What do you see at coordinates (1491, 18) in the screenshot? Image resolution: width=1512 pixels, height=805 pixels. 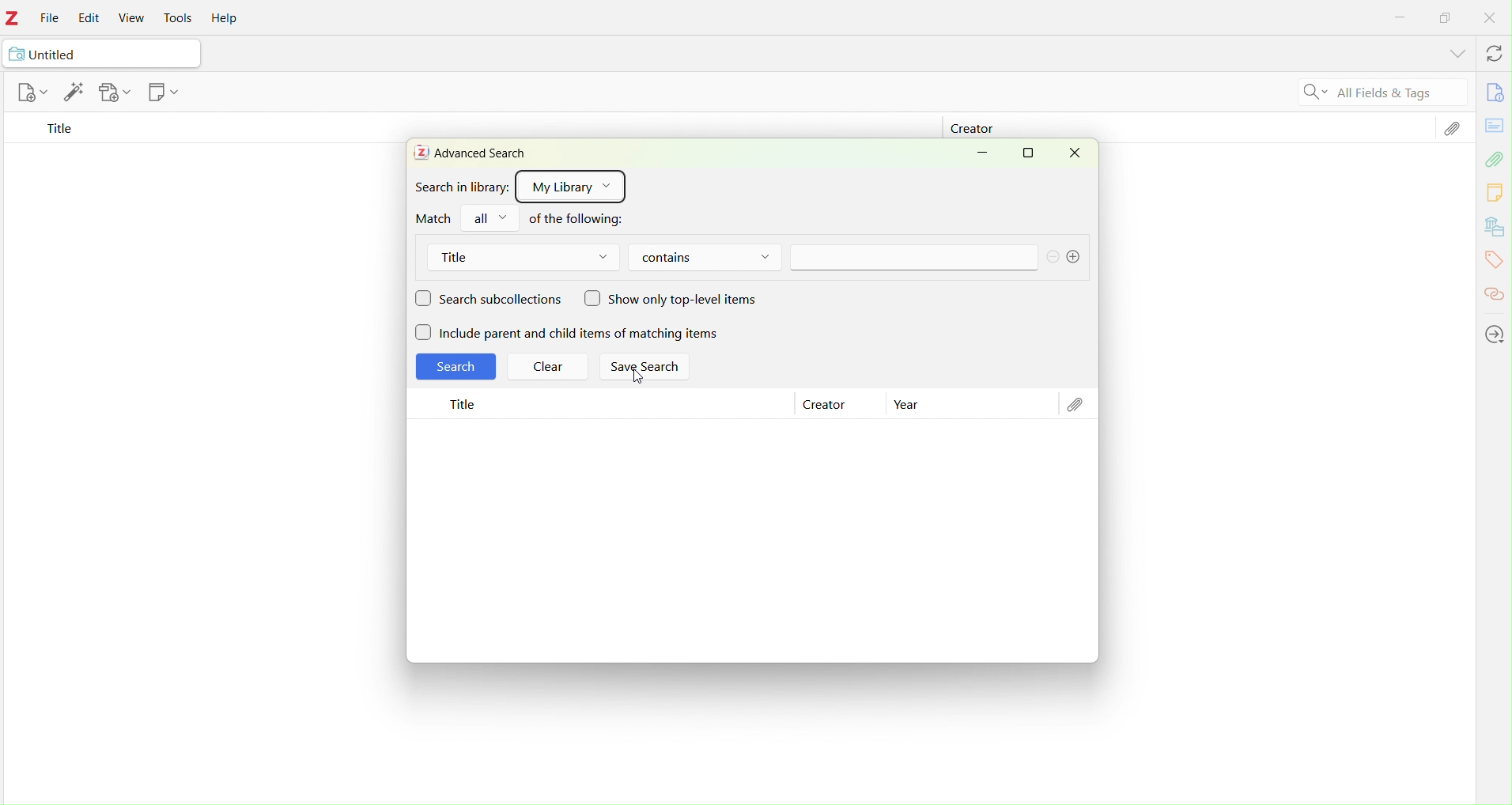 I see `Close` at bounding box center [1491, 18].